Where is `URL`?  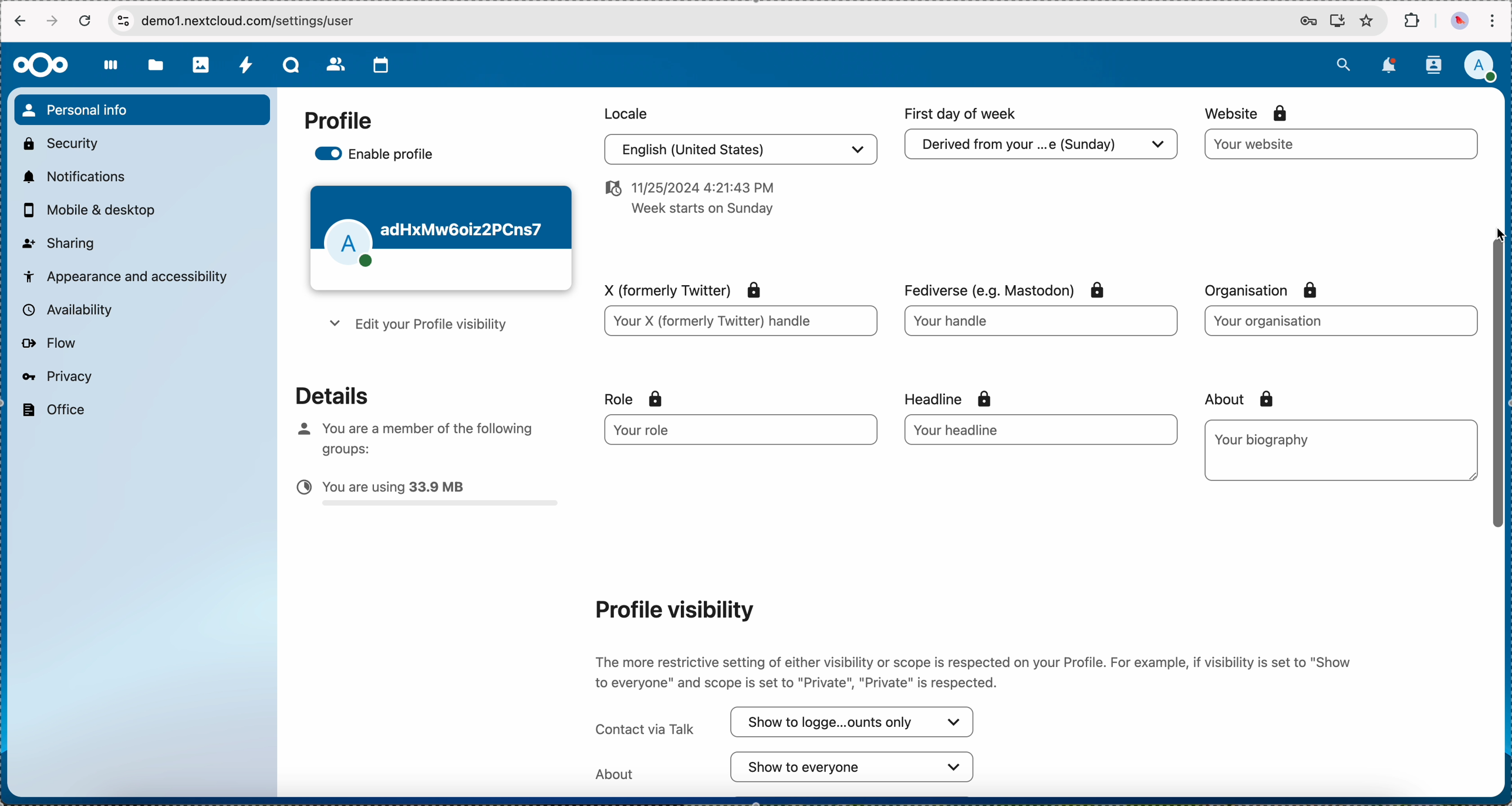 URL is located at coordinates (262, 21).